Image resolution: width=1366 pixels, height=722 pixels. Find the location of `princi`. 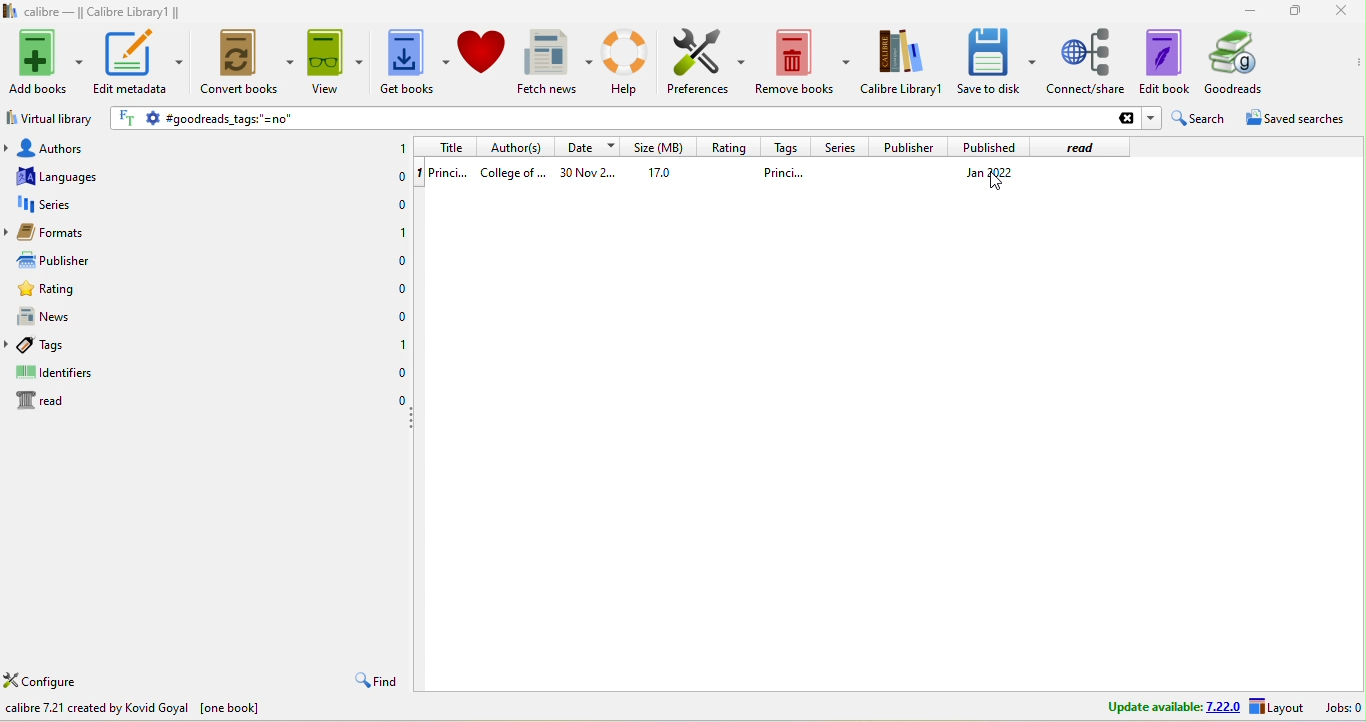

princi is located at coordinates (785, 173).